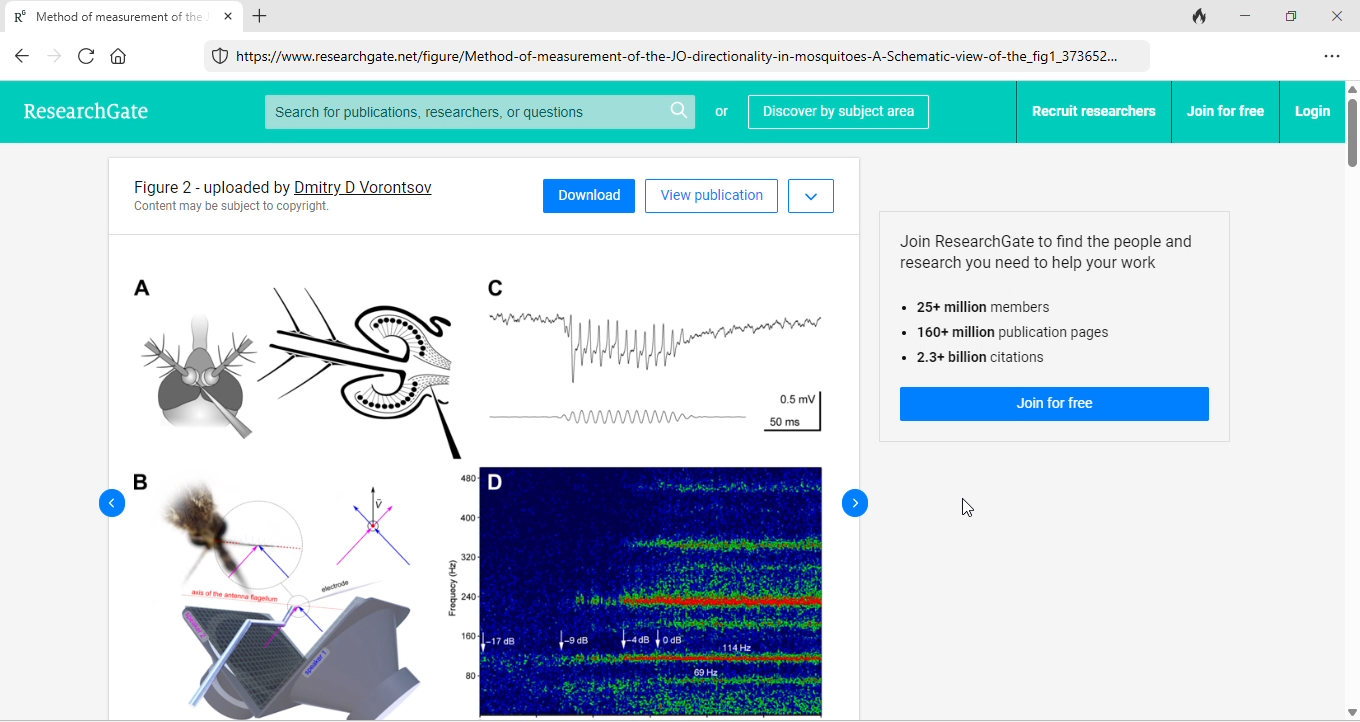 This screenshot has width=1360, height=722. What do you see at coordinates (260, 18) in the screenshot?
I see `add` at bounding box center [260, 18].